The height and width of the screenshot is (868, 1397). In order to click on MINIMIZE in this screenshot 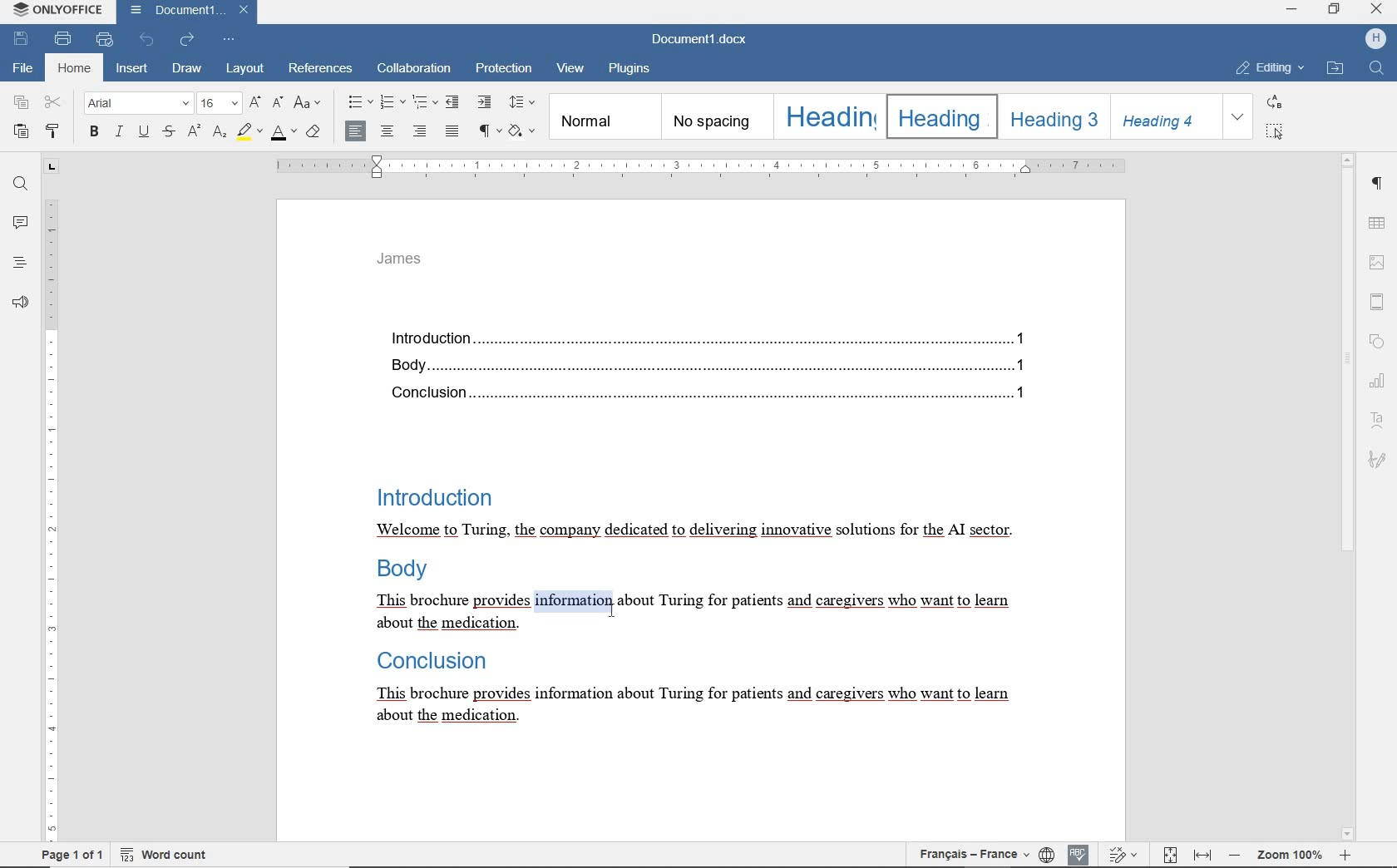, I will do `click(1292, 8)`.